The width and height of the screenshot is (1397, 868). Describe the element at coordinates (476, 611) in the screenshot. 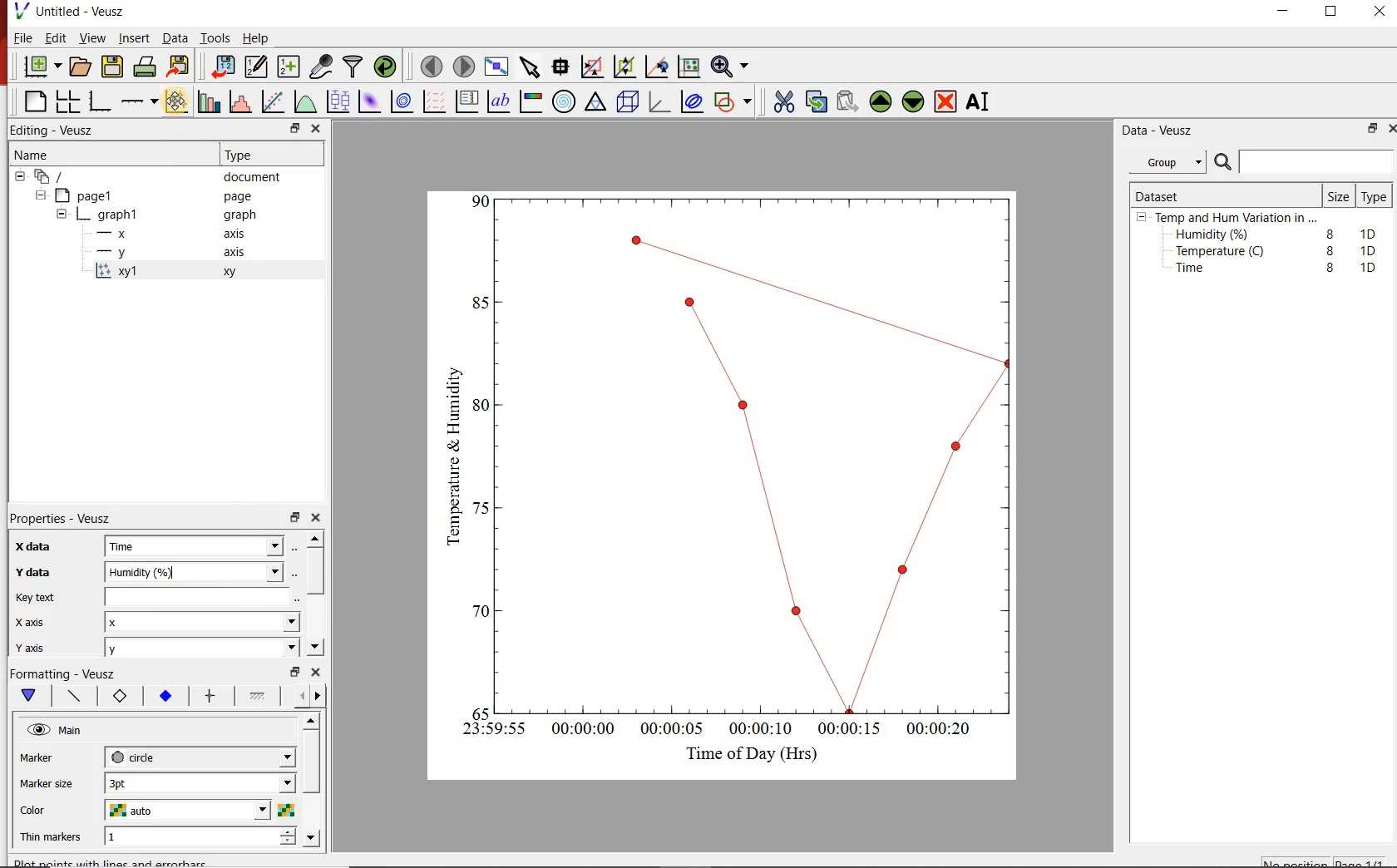

I see `0.2` at that location.